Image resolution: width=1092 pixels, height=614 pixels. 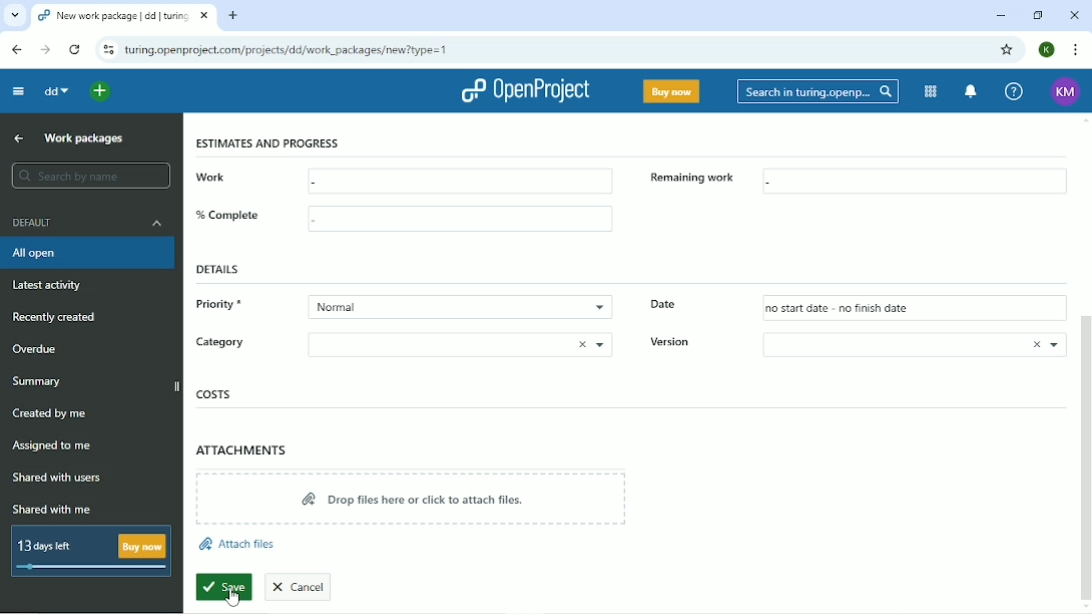 What do you see at coordinates (448, 304) in the screenshot?
I see `Normal` at bounding box center [448, 304].